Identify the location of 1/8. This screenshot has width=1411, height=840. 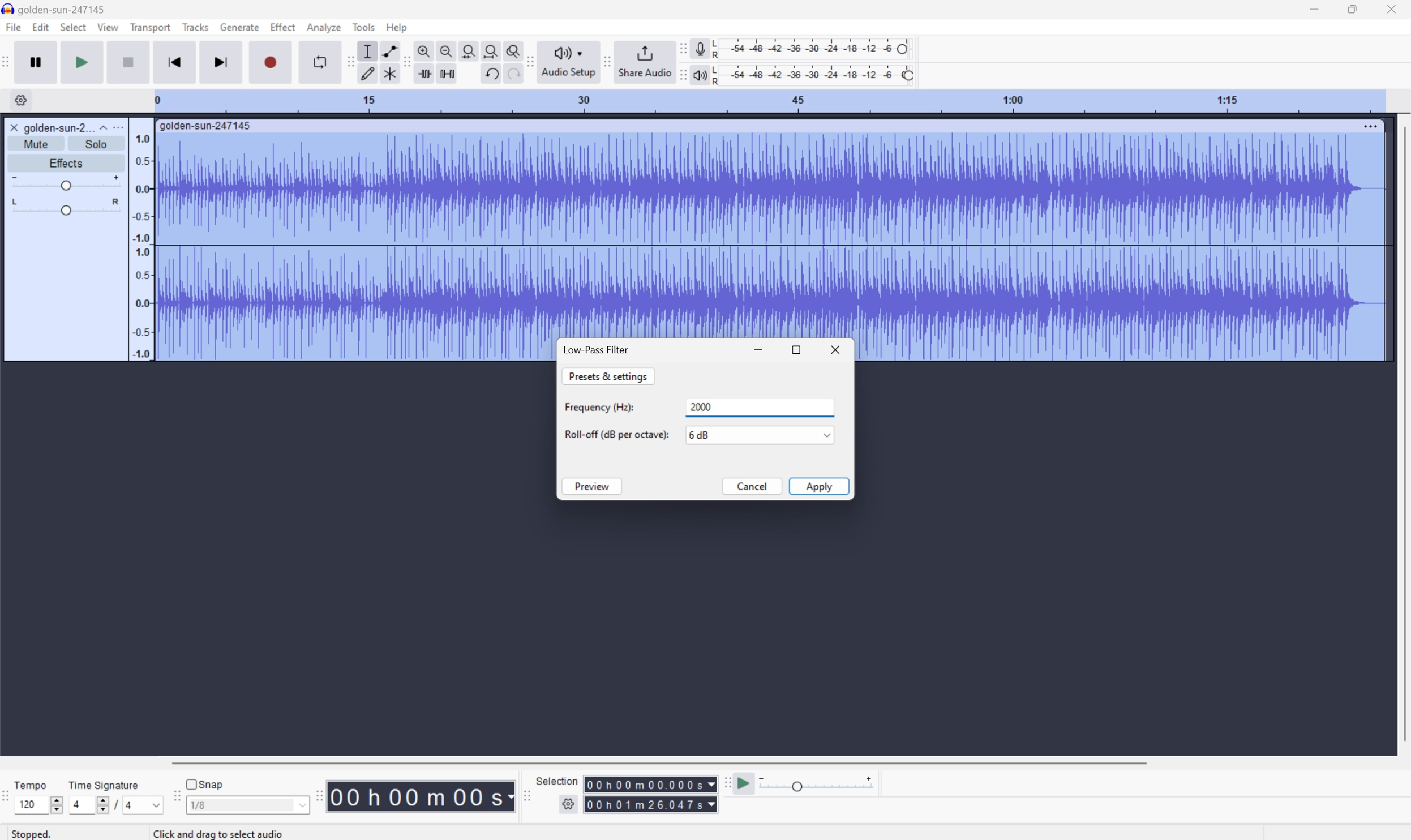
(247, 804).